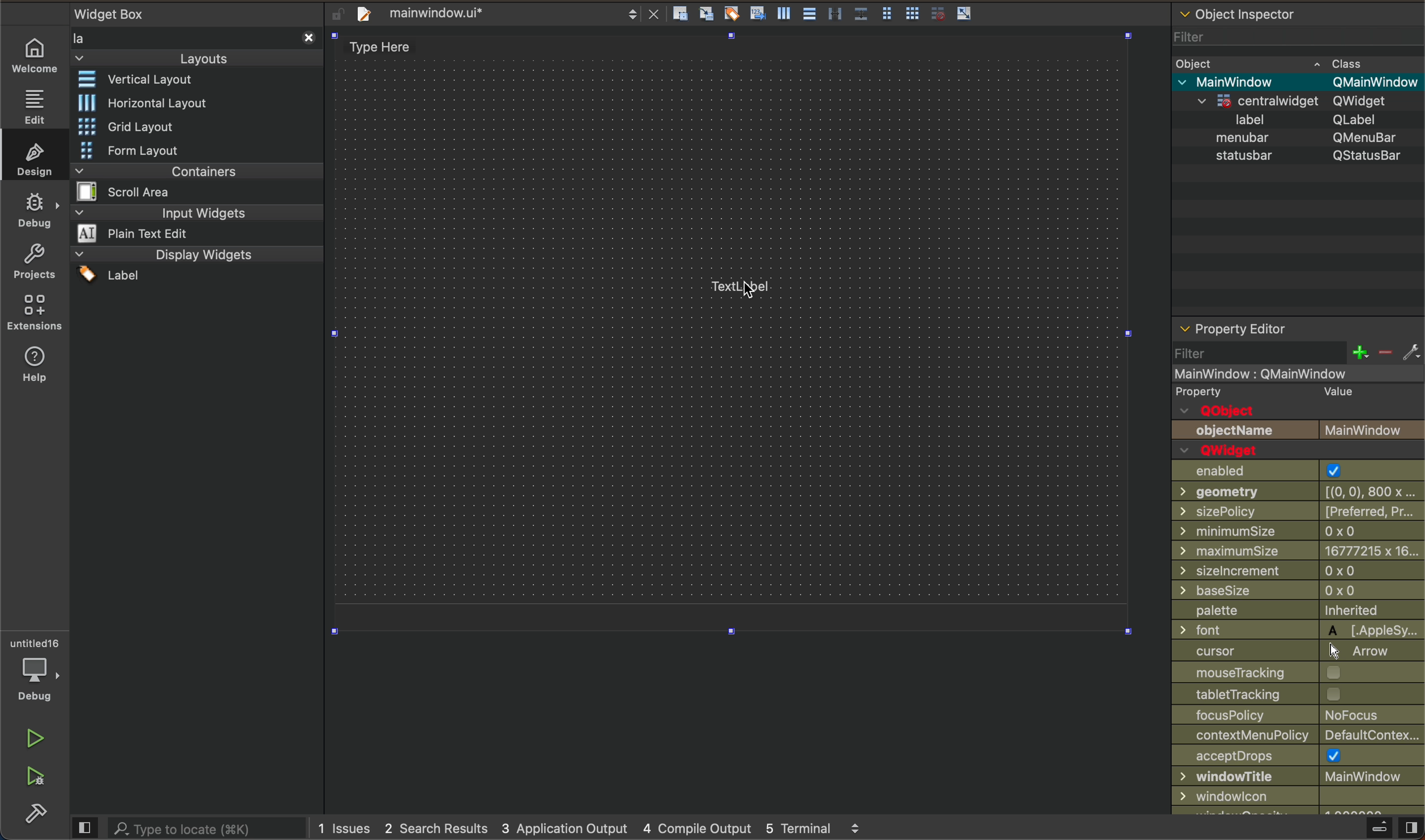 The image size is (1425, 840). Describe the element at coordinates (1256, 39) in the screenshot. I see `filter` at that location.